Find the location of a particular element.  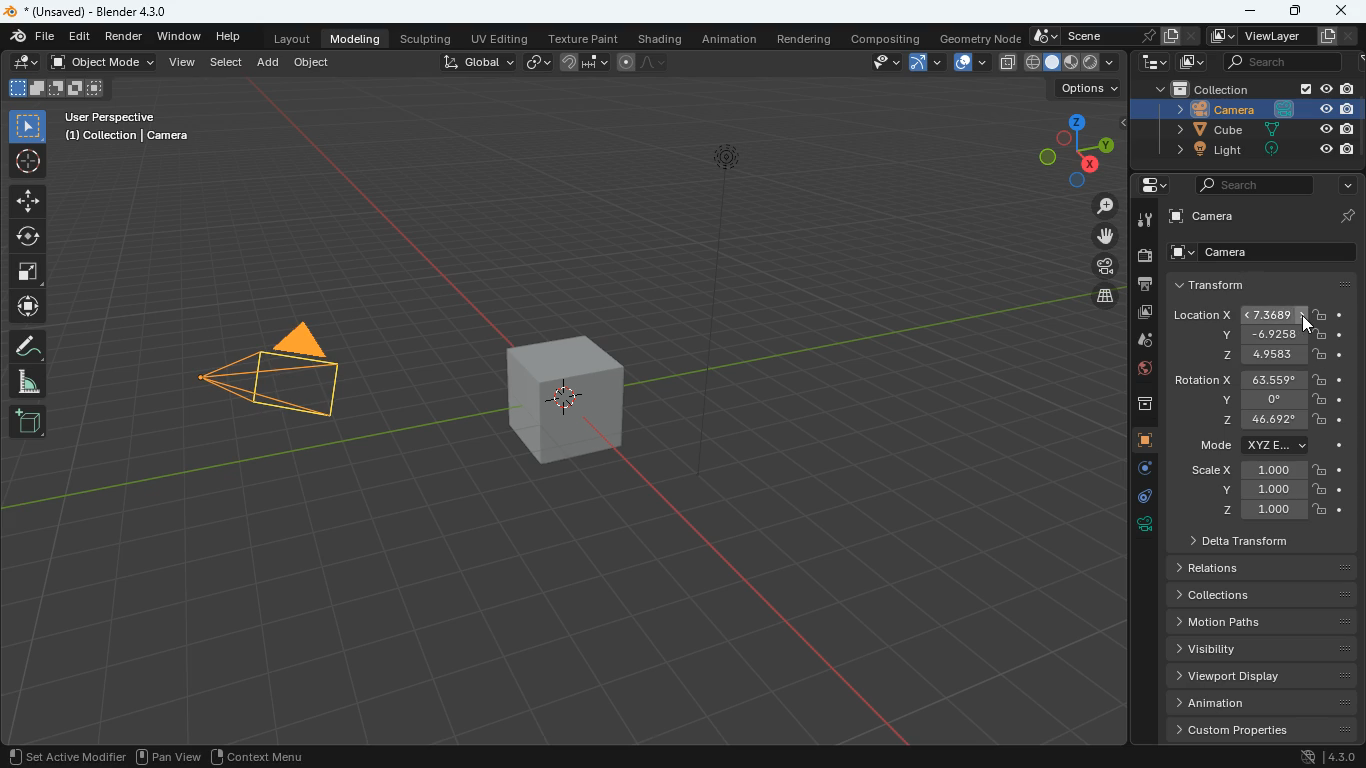

minimize is located at coordinates (1252, 12).